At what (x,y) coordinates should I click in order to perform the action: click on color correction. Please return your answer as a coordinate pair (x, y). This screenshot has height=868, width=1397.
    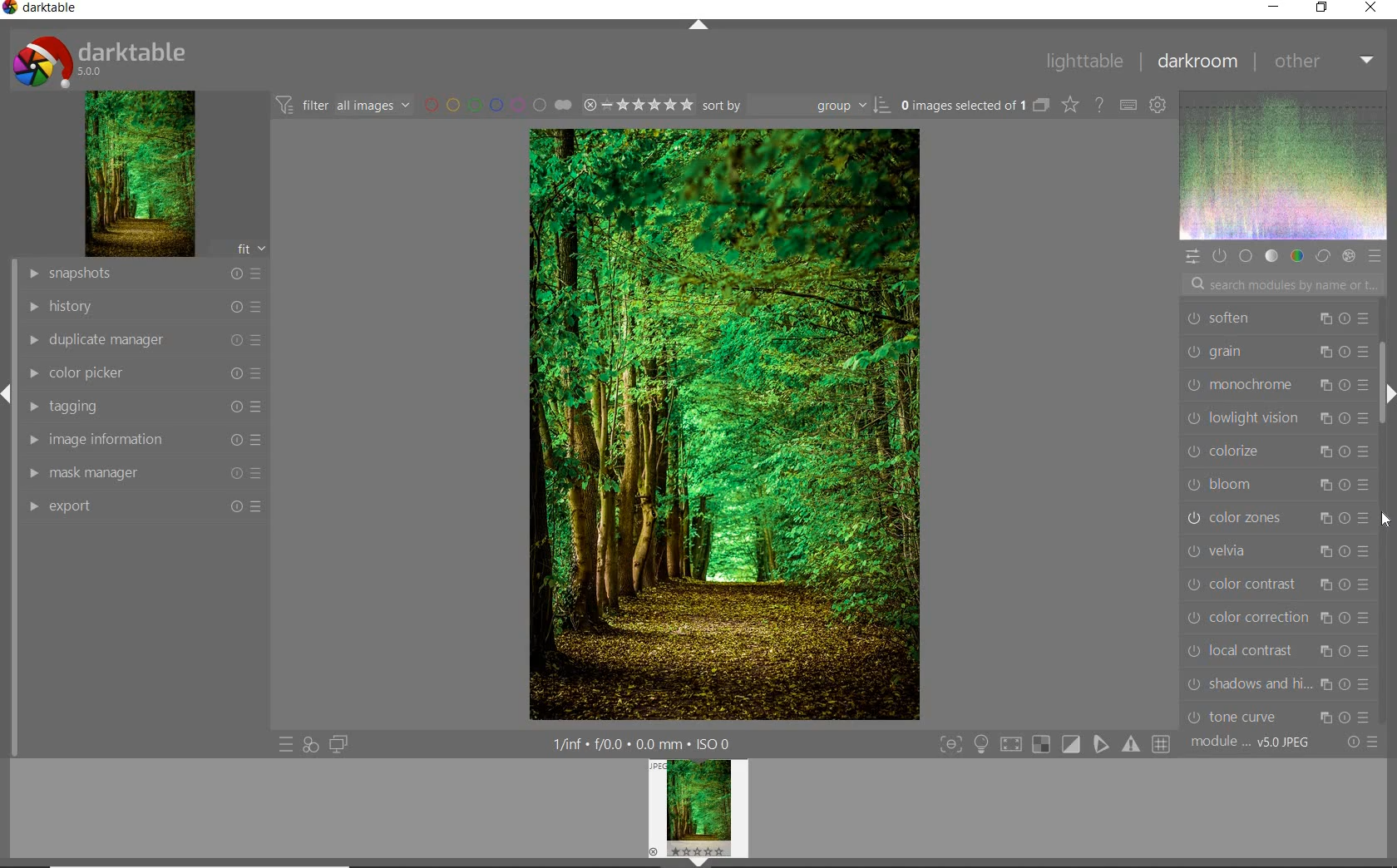
    Looking at the image, I should click on (1278, 619).